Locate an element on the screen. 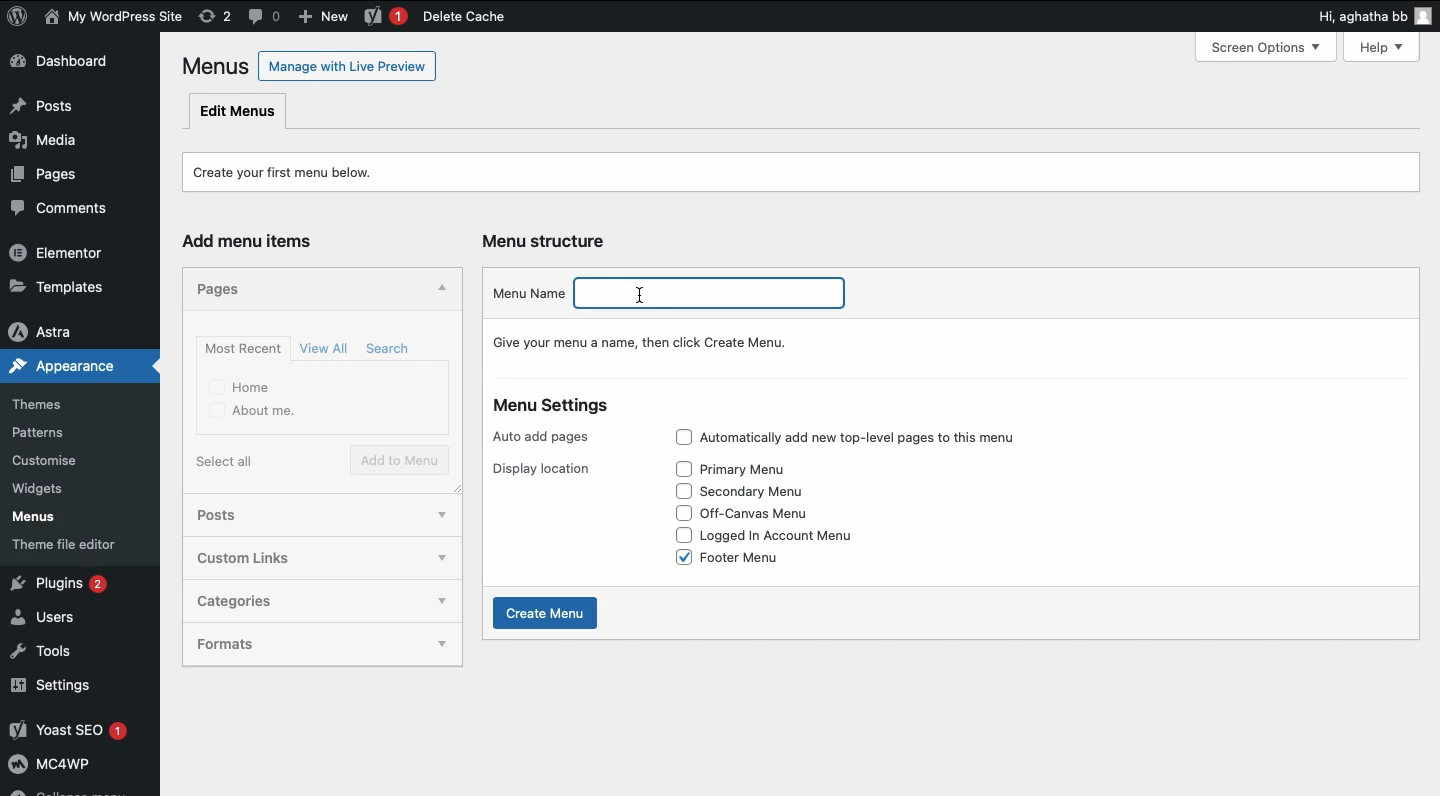 The height and width of the screenshot is (796, 1440). Mcawp is located at coordinates (80, 768).